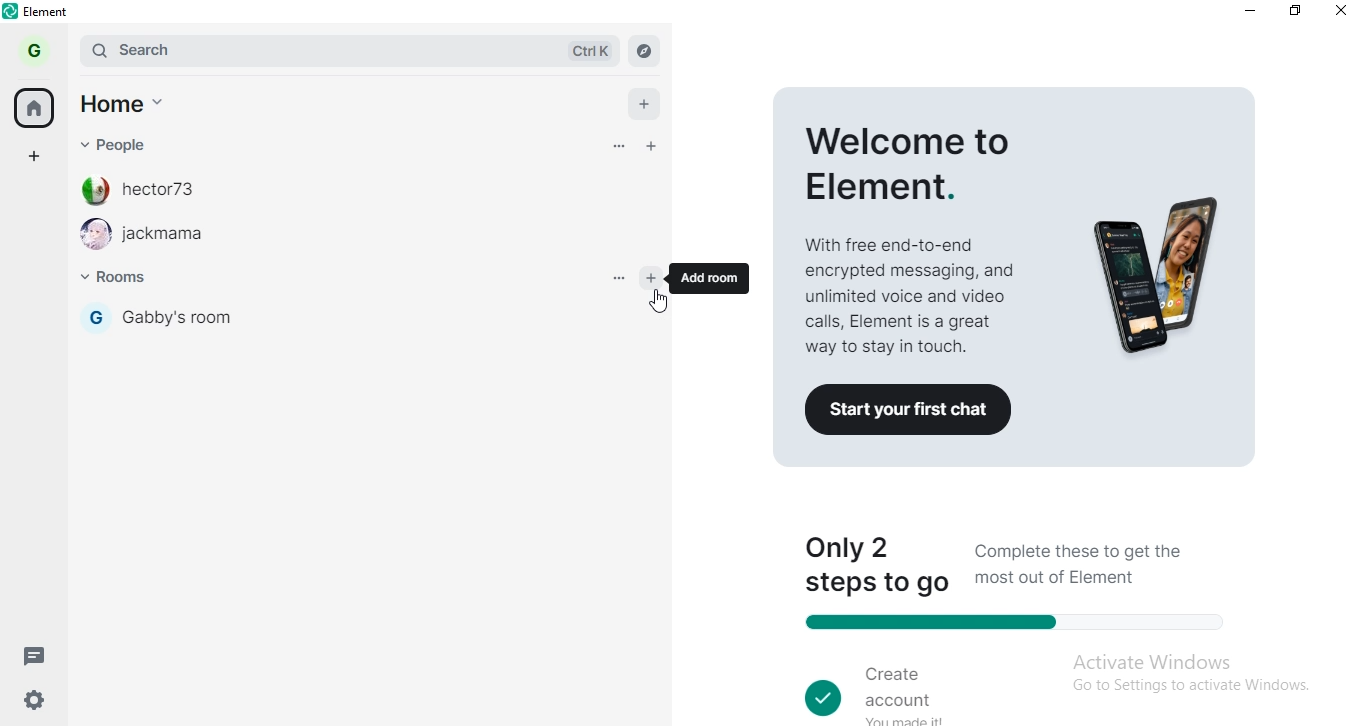 This screenshot has height=726, width=1366. Describe the element at coordinates (40, 49) in the screenshot. I see `profile` at that location.